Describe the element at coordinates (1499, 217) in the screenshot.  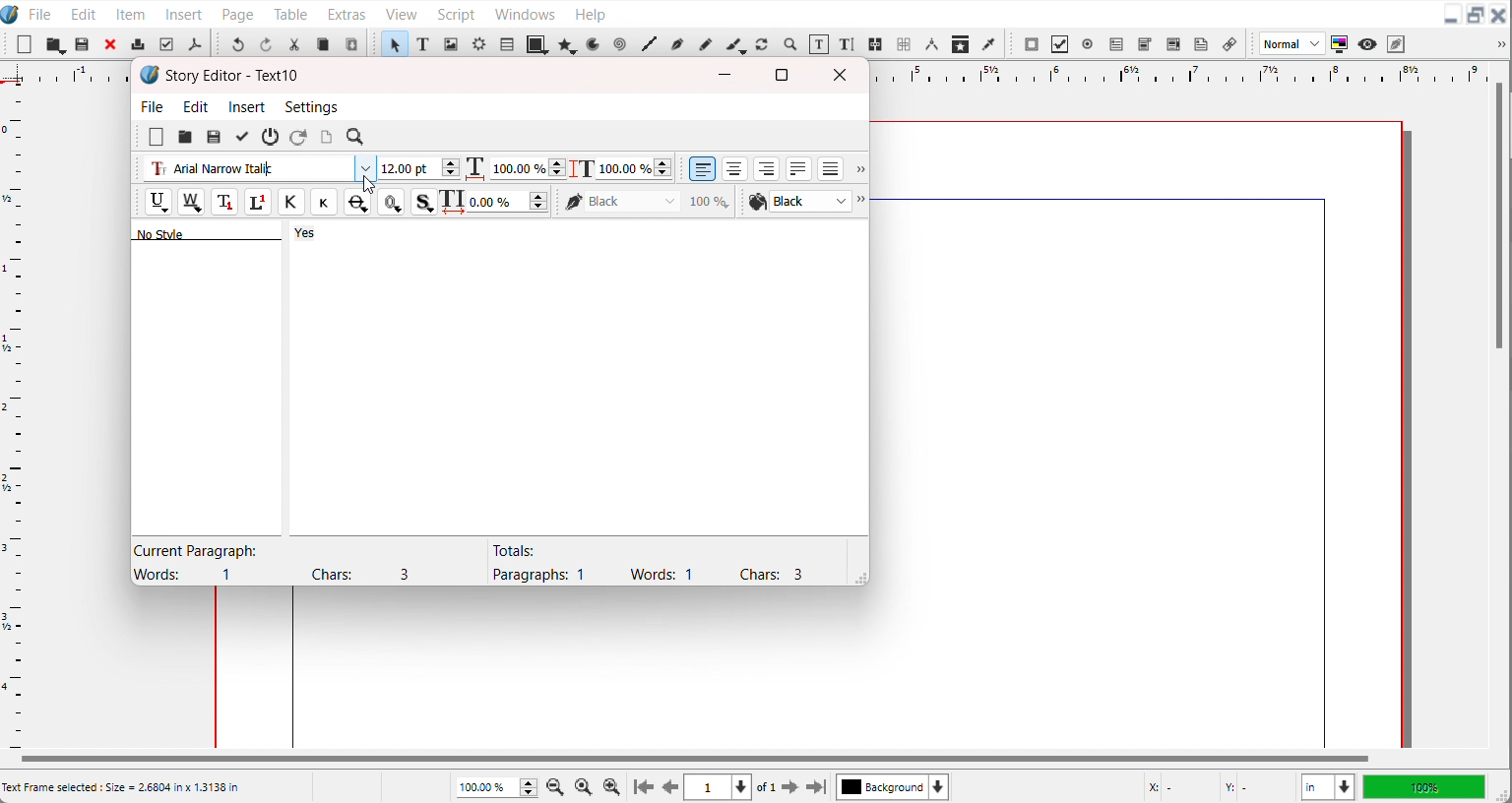
I see `Vertical scroll bar` at that location.